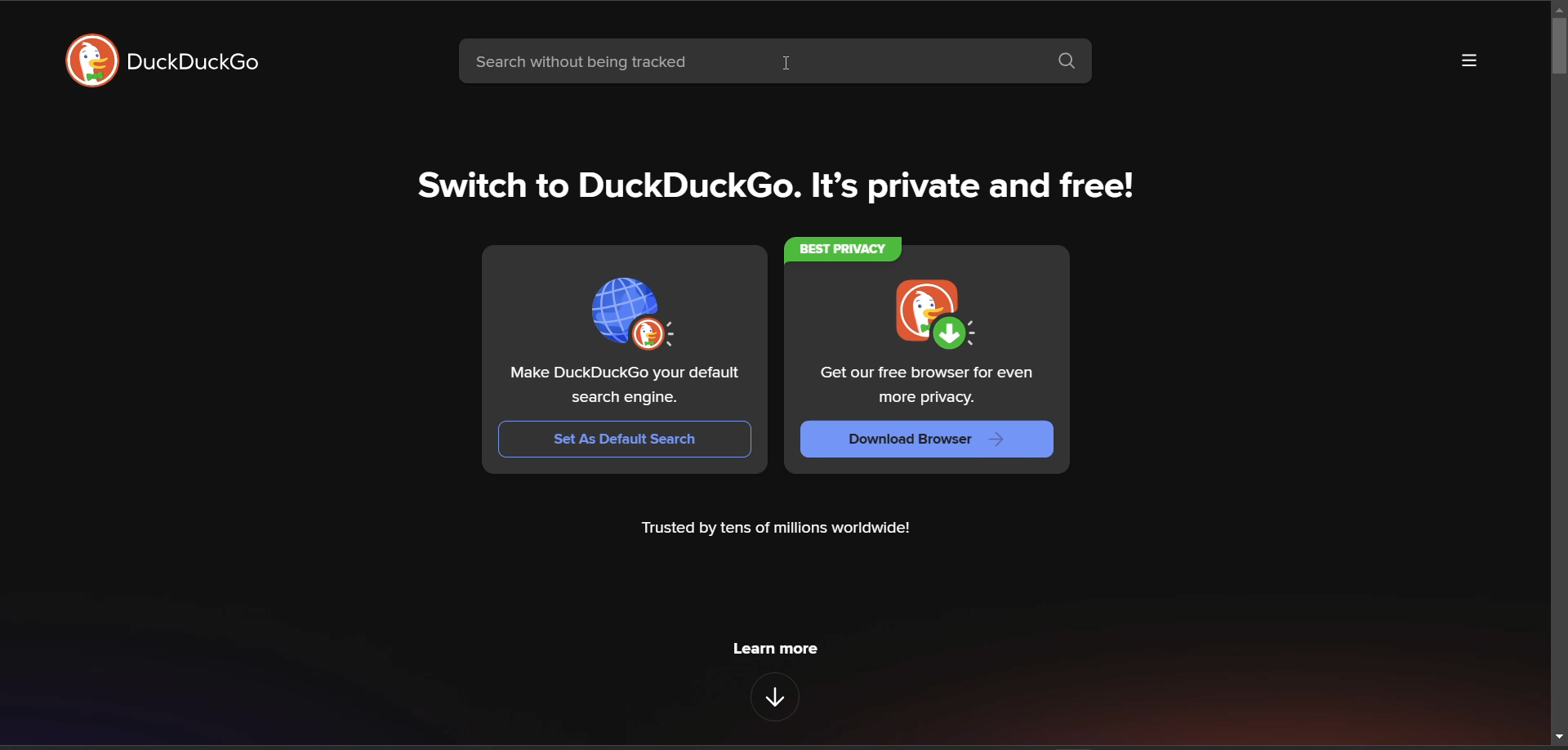  Describe the element at coordinates (1073, 65) in the screenshot. I see `search button` at that location.